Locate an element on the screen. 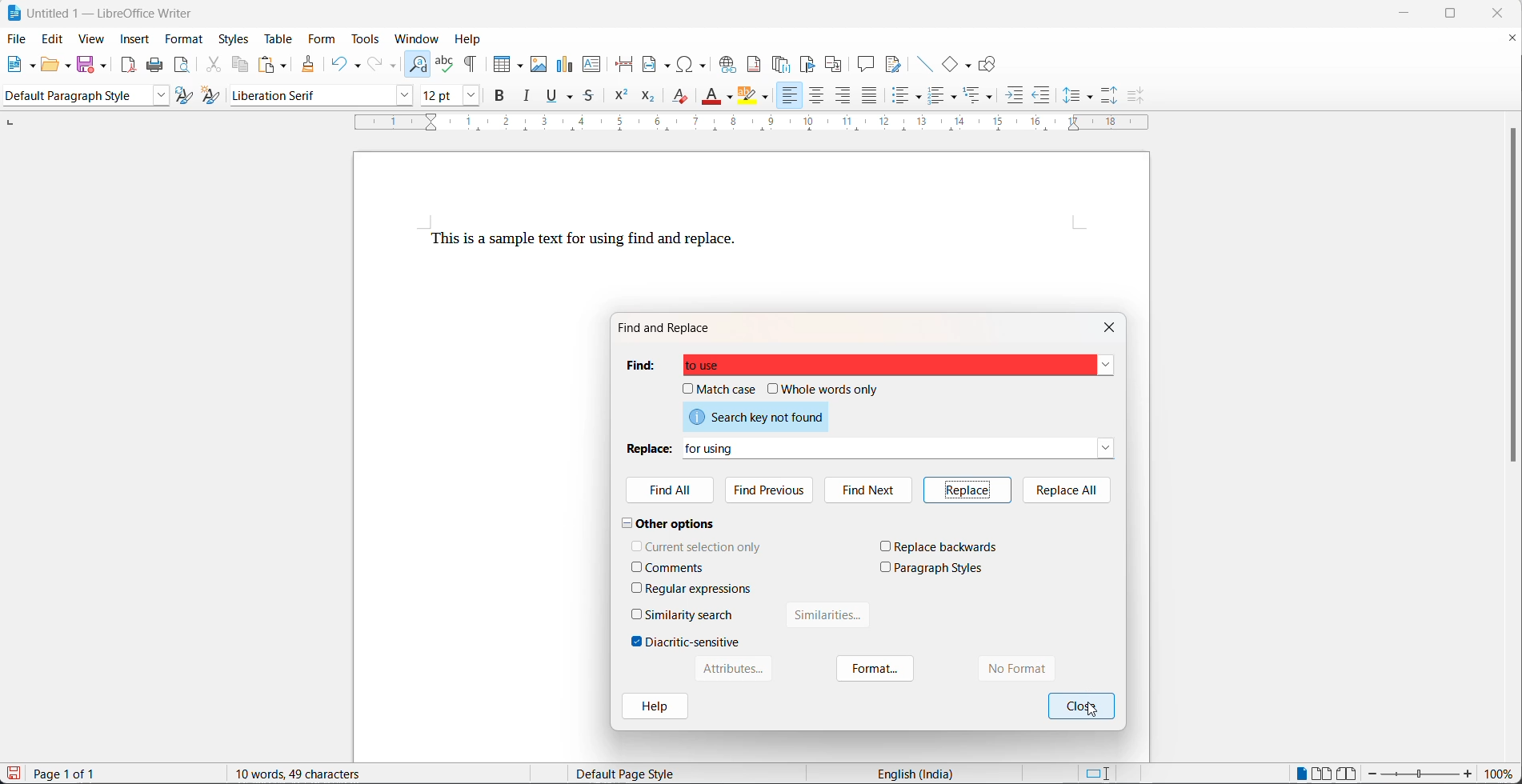 This screenshot has width=1522, height=784. file is located at coordinates (18, 38).